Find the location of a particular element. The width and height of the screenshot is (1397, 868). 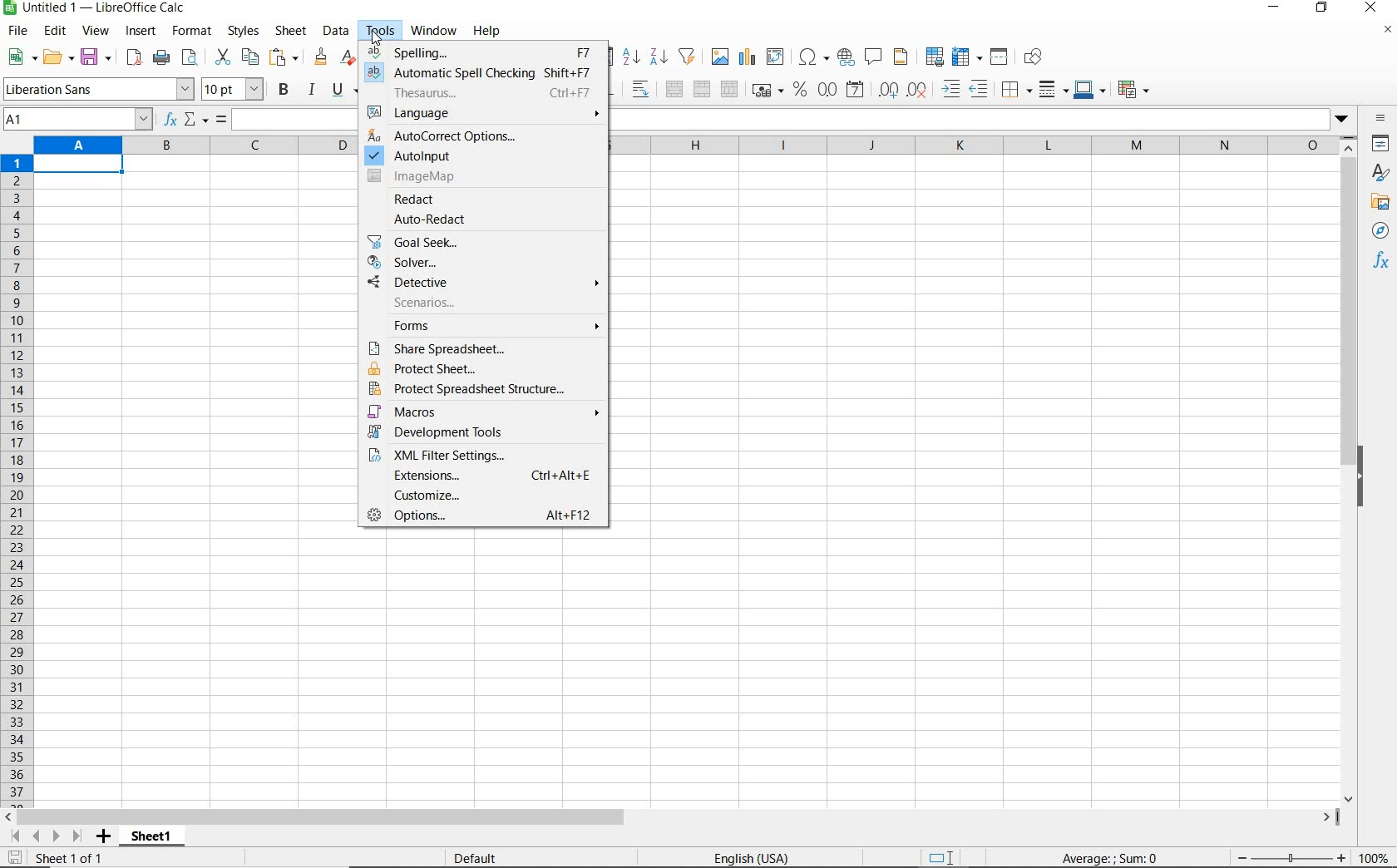

xml filter settings is located at coordinates (486, 454).